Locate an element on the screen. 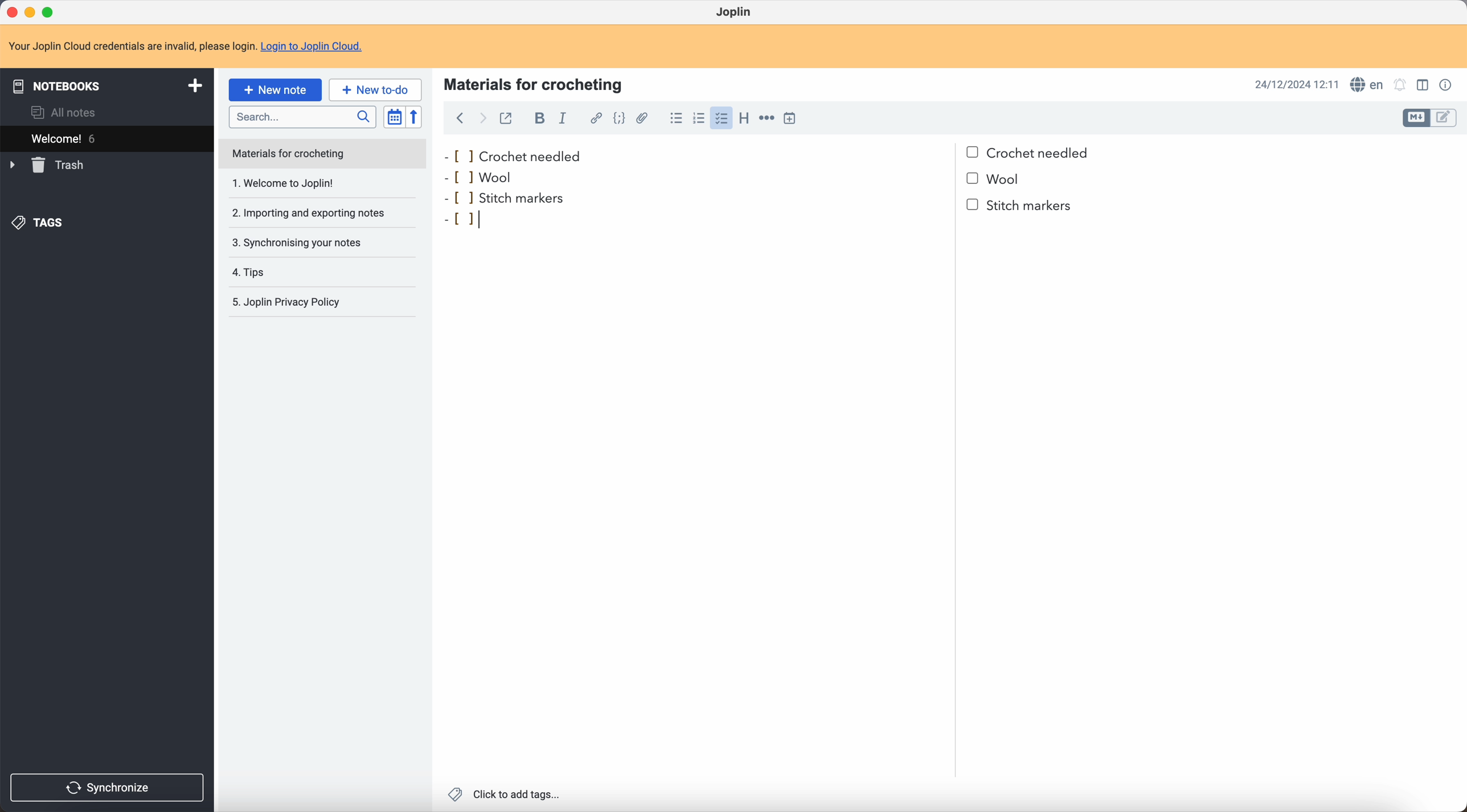 This screenshot has height=812, width=1467. spell checker is located at coordinates (1365, 84).